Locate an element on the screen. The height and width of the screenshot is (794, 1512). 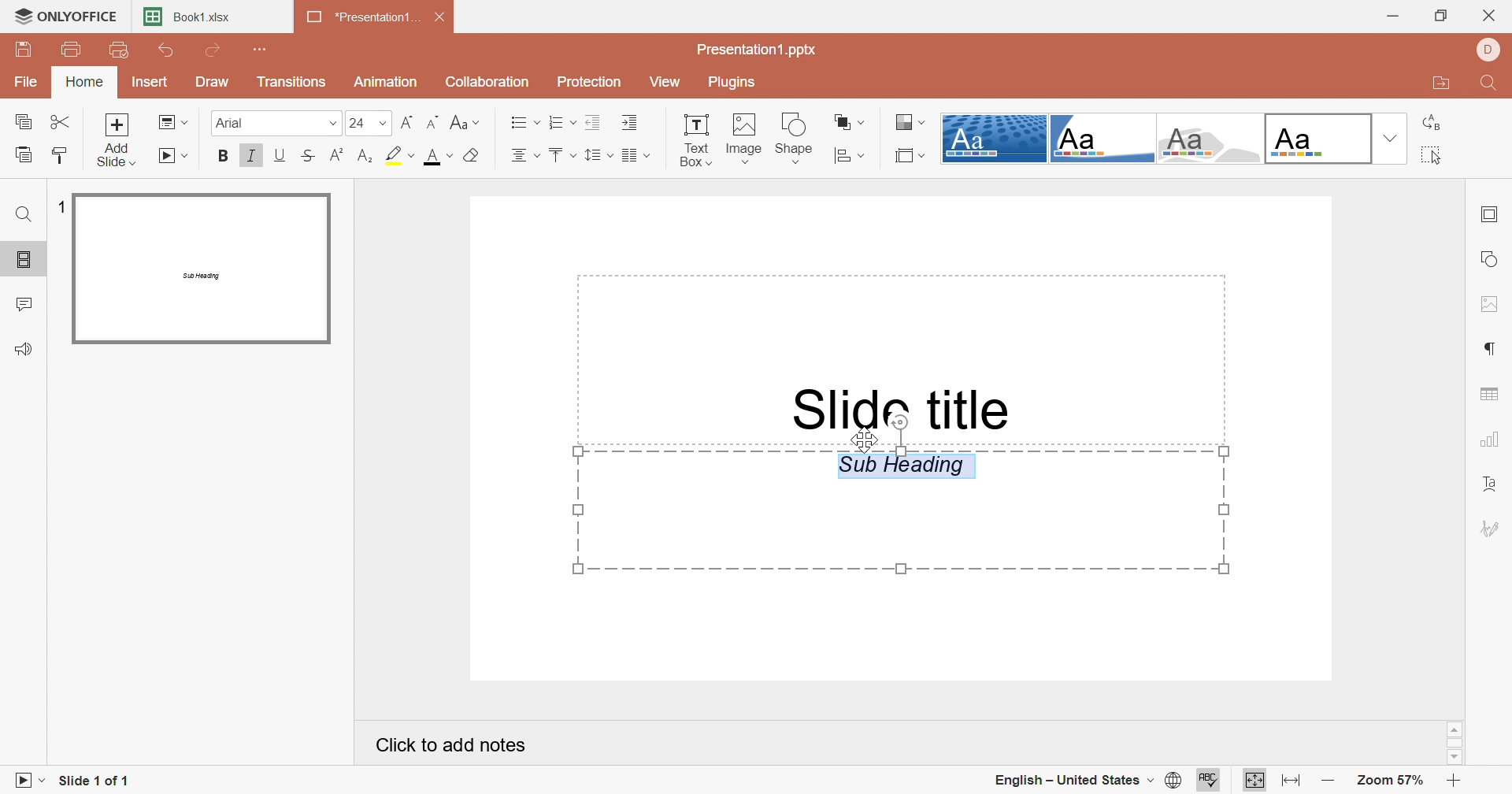
Save is located at coordinates (26, 50).